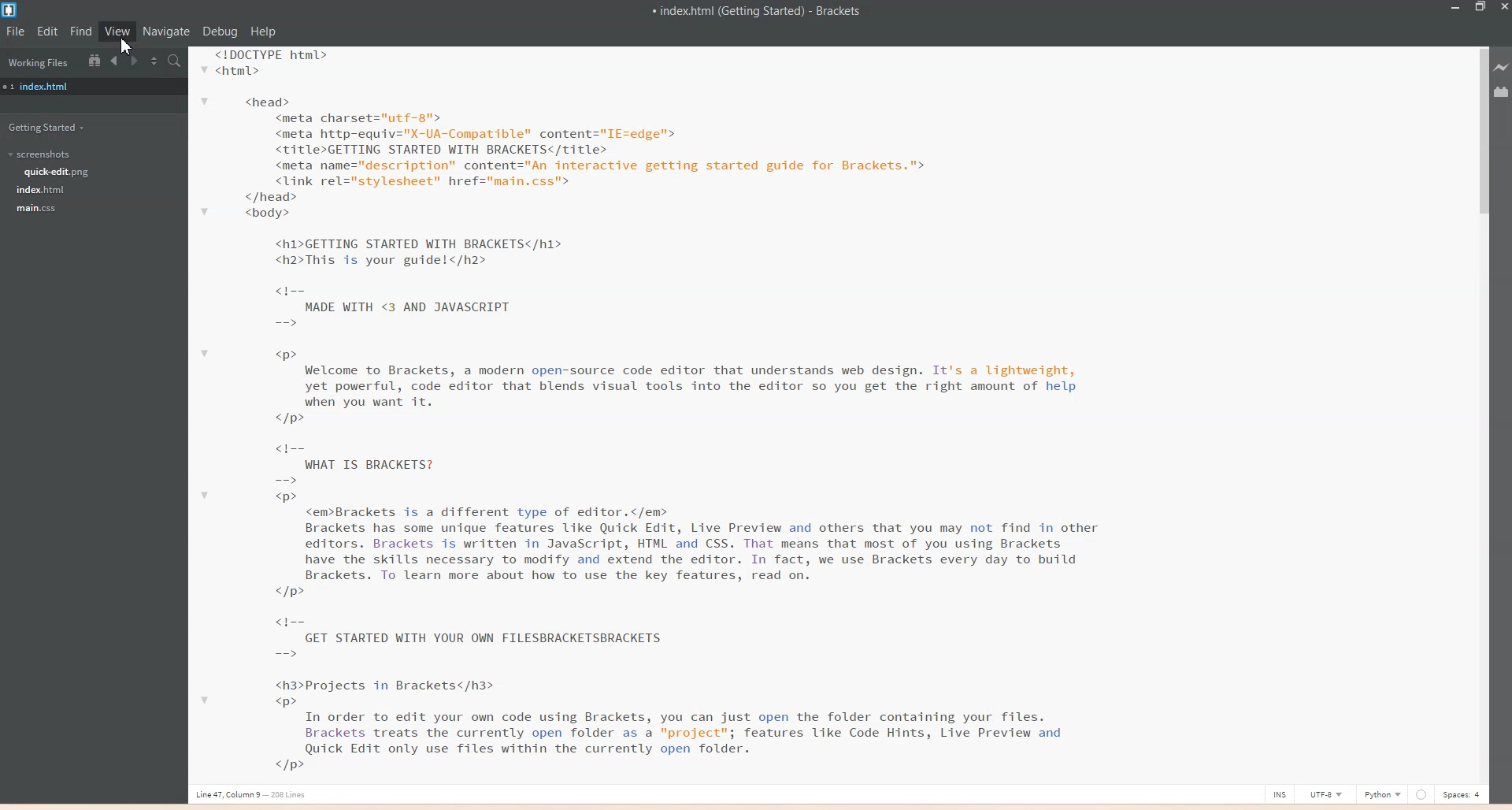  I want to click on Line, column, so click(254, 797).